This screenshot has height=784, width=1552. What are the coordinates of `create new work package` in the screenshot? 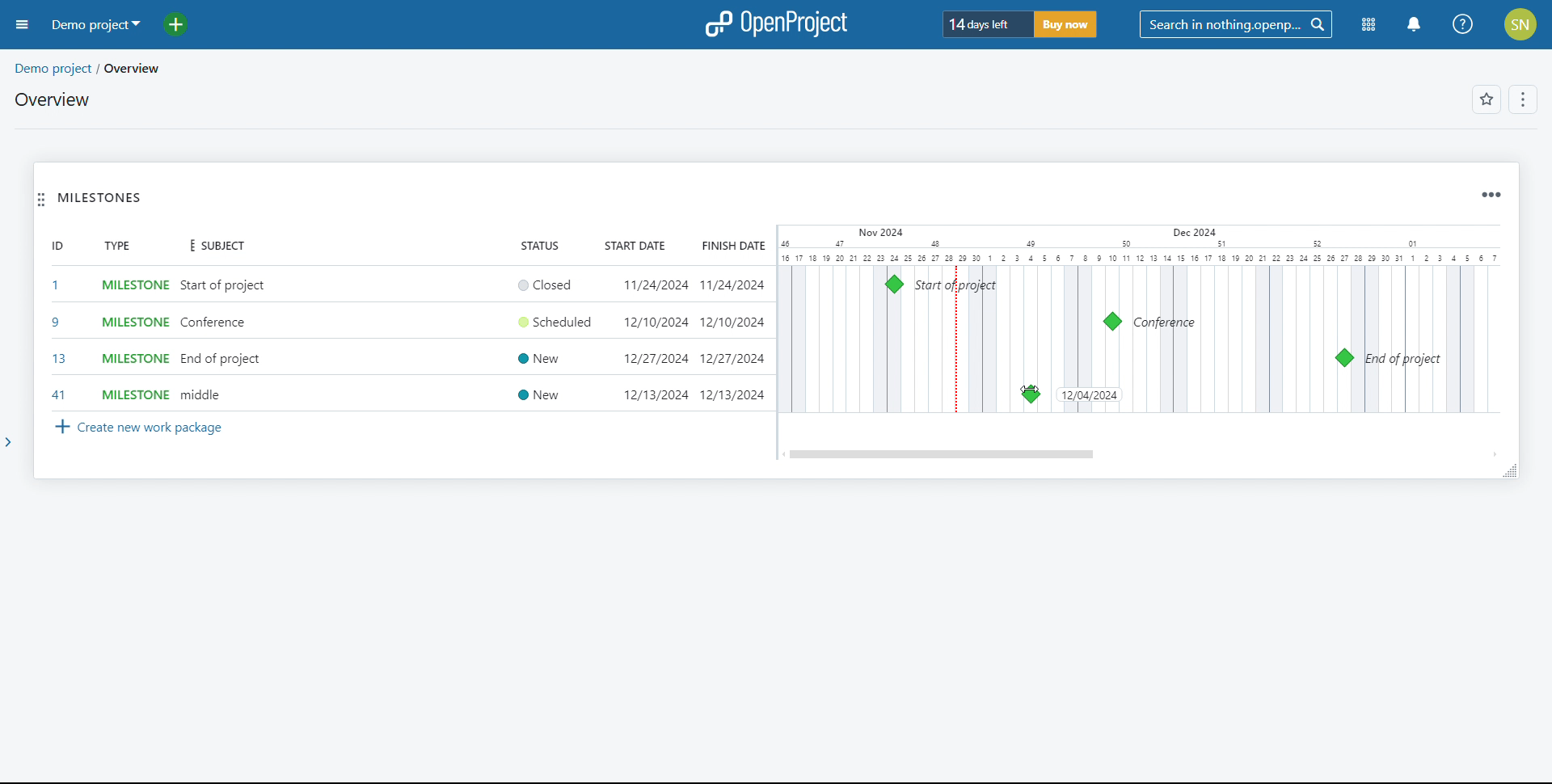 It's located at (140, 428).